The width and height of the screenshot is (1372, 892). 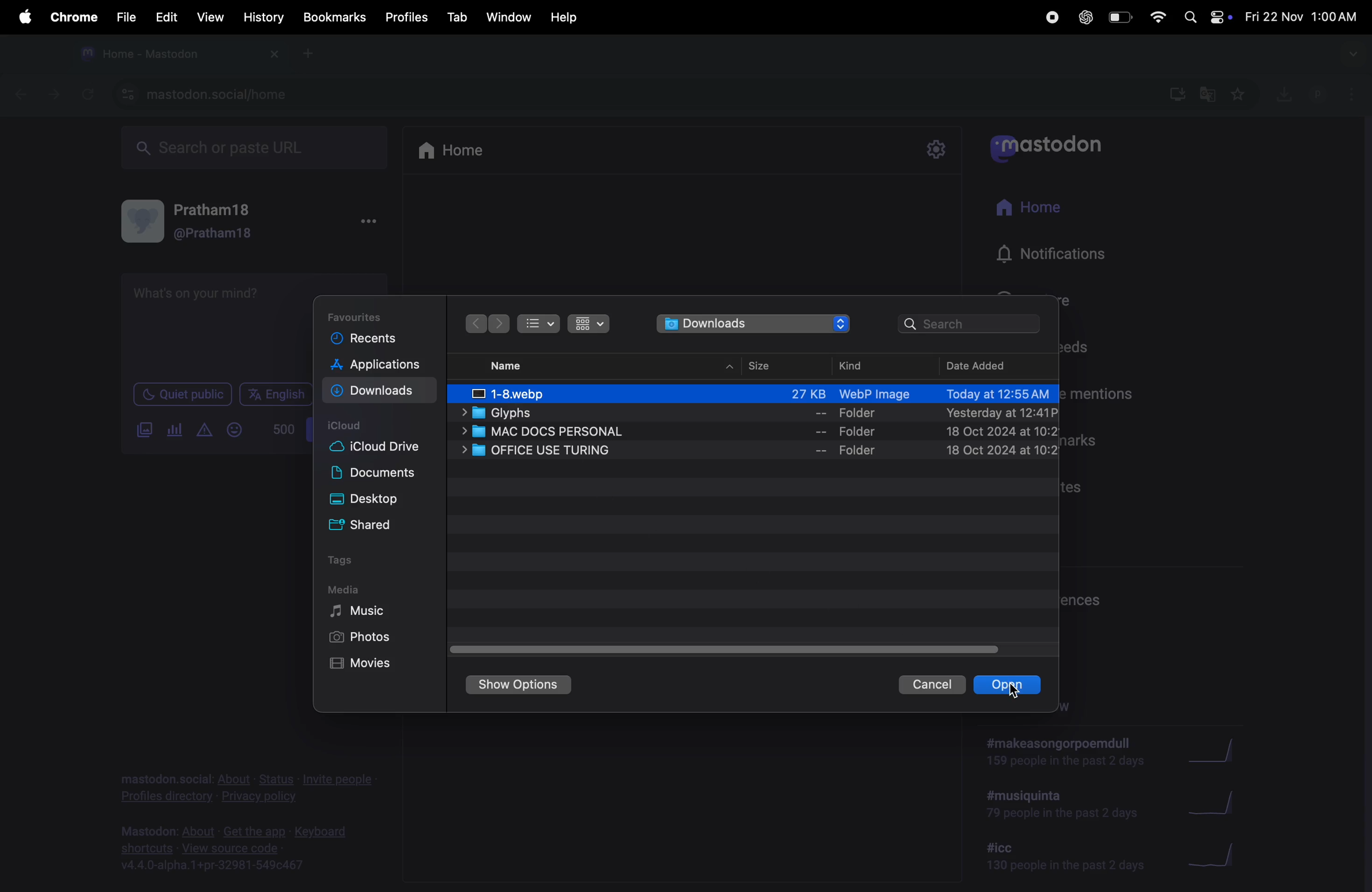 What do you see at coordinates (1175, 96) in the screenshot?
I see `downloads` at bounding box center [1175, 96].